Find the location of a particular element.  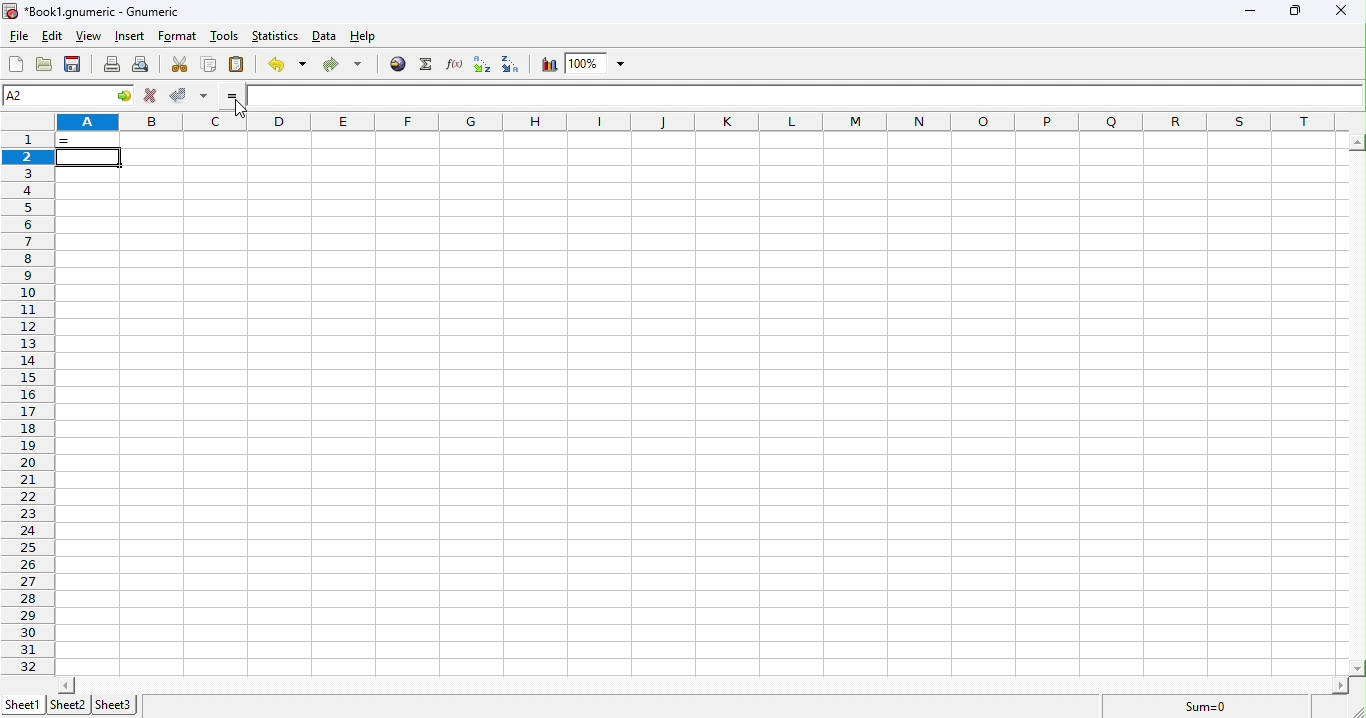

Cursor is located at coordinates (238, 107).